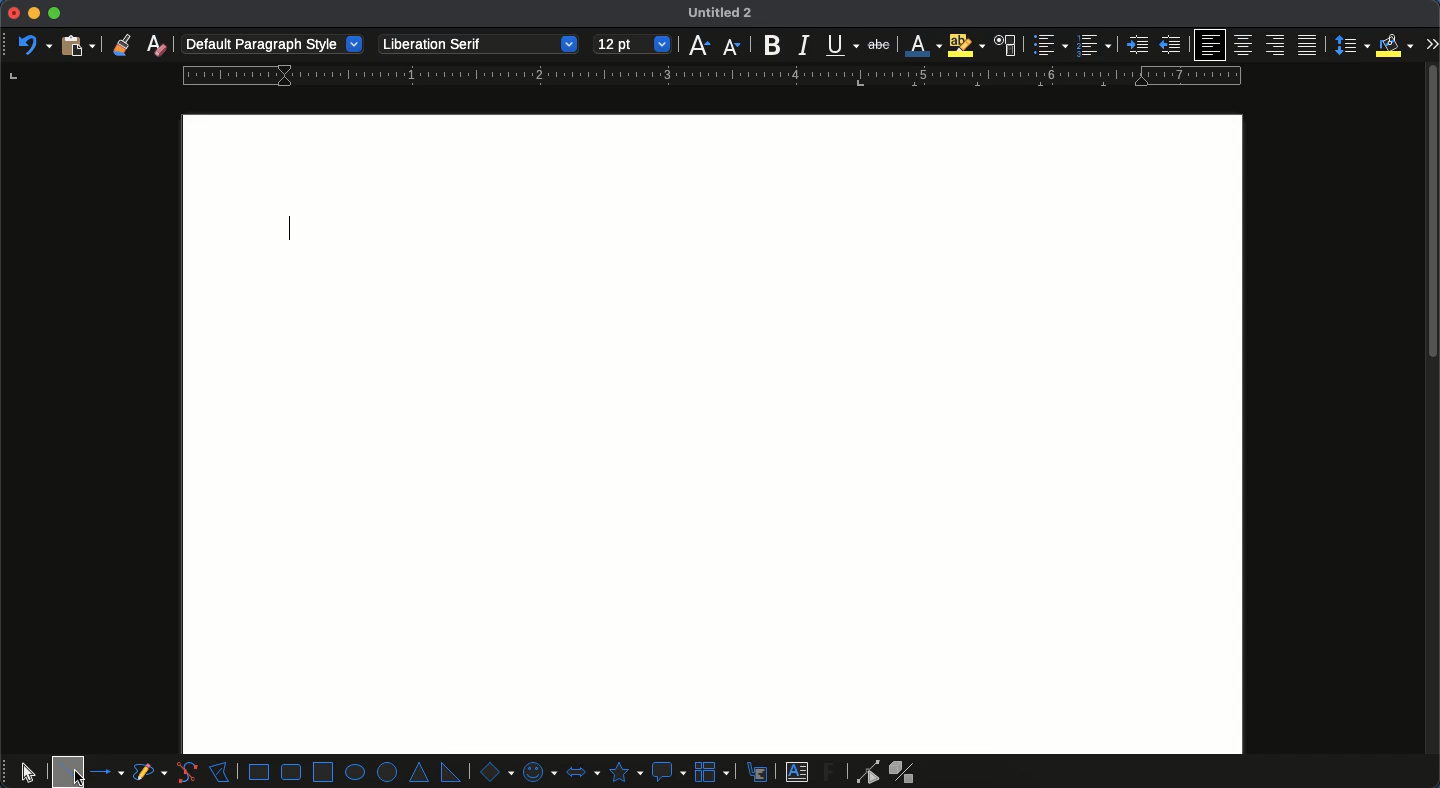 Image resolution: width=1440 pixels, height=788 pixels. Describe the element at coordinates (538, 771) in the screenshot. I see `symbol shapes` at that location.